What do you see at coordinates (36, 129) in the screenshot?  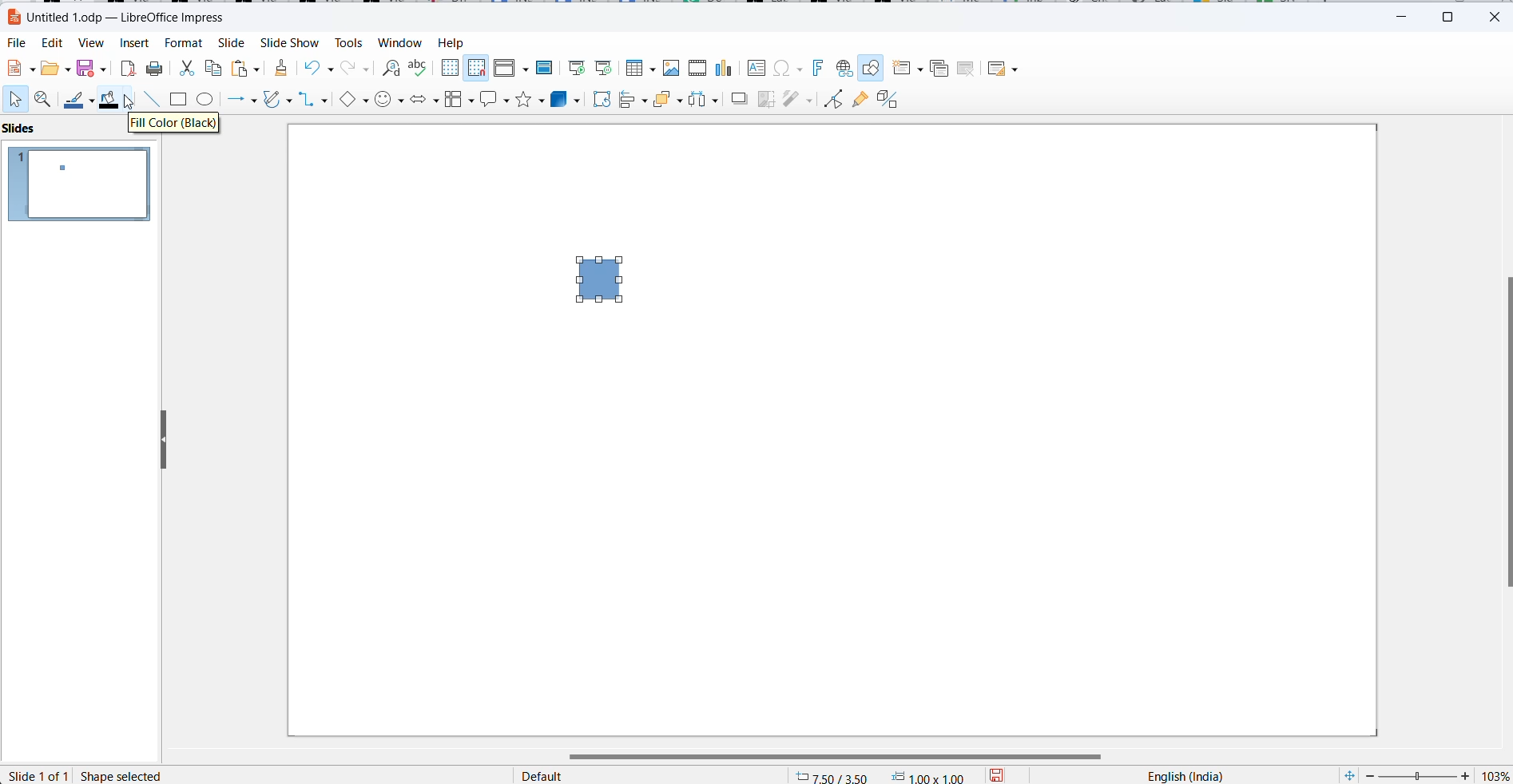 I see `slide pane` at bounding box center [36, 129].